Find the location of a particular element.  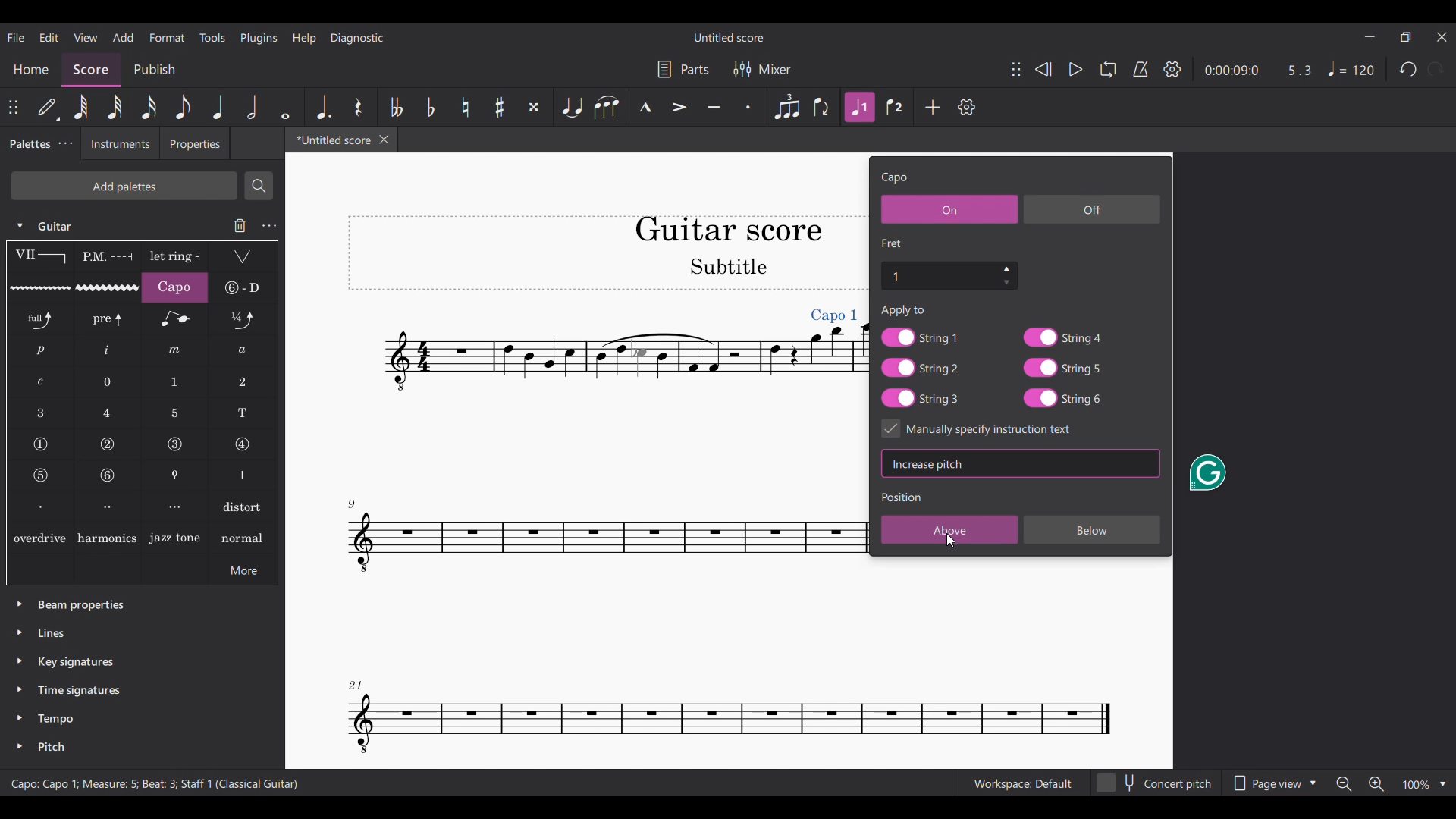

Plugins menu is located at coordinates (259, 39).